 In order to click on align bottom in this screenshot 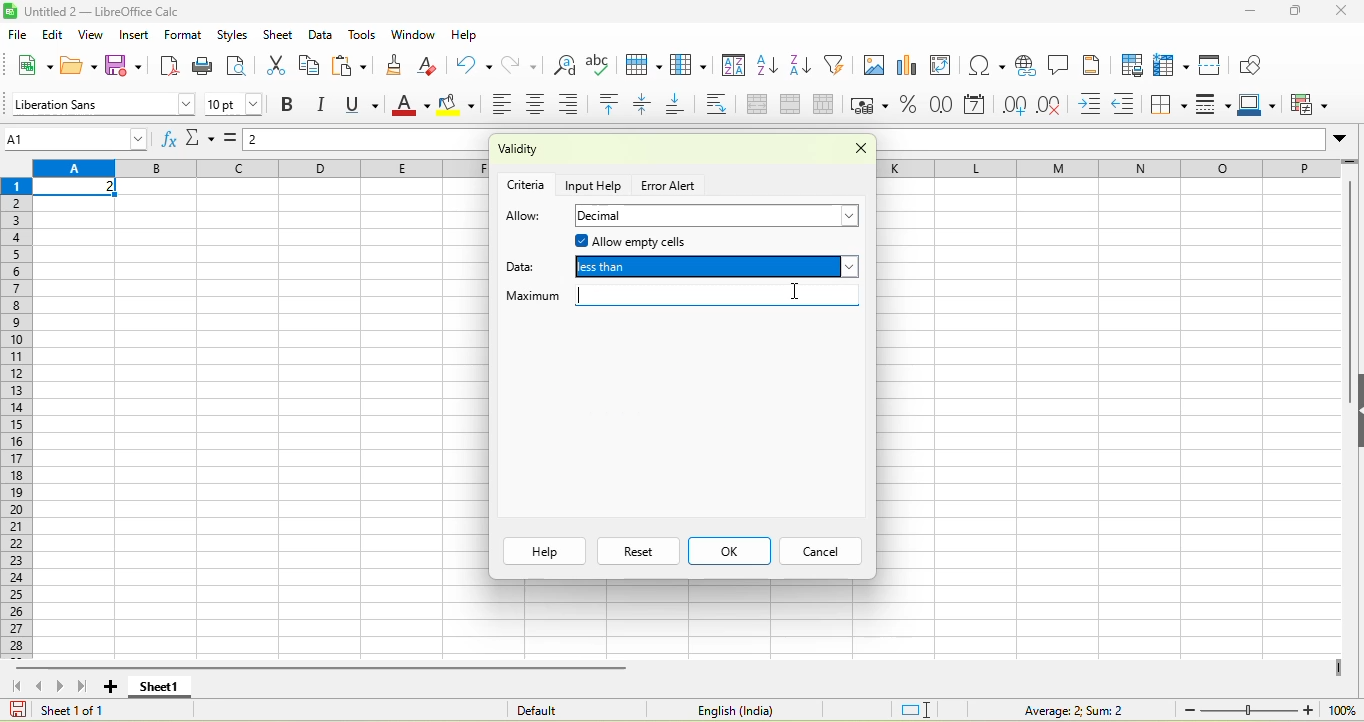, I will do `click(682, 106)`.